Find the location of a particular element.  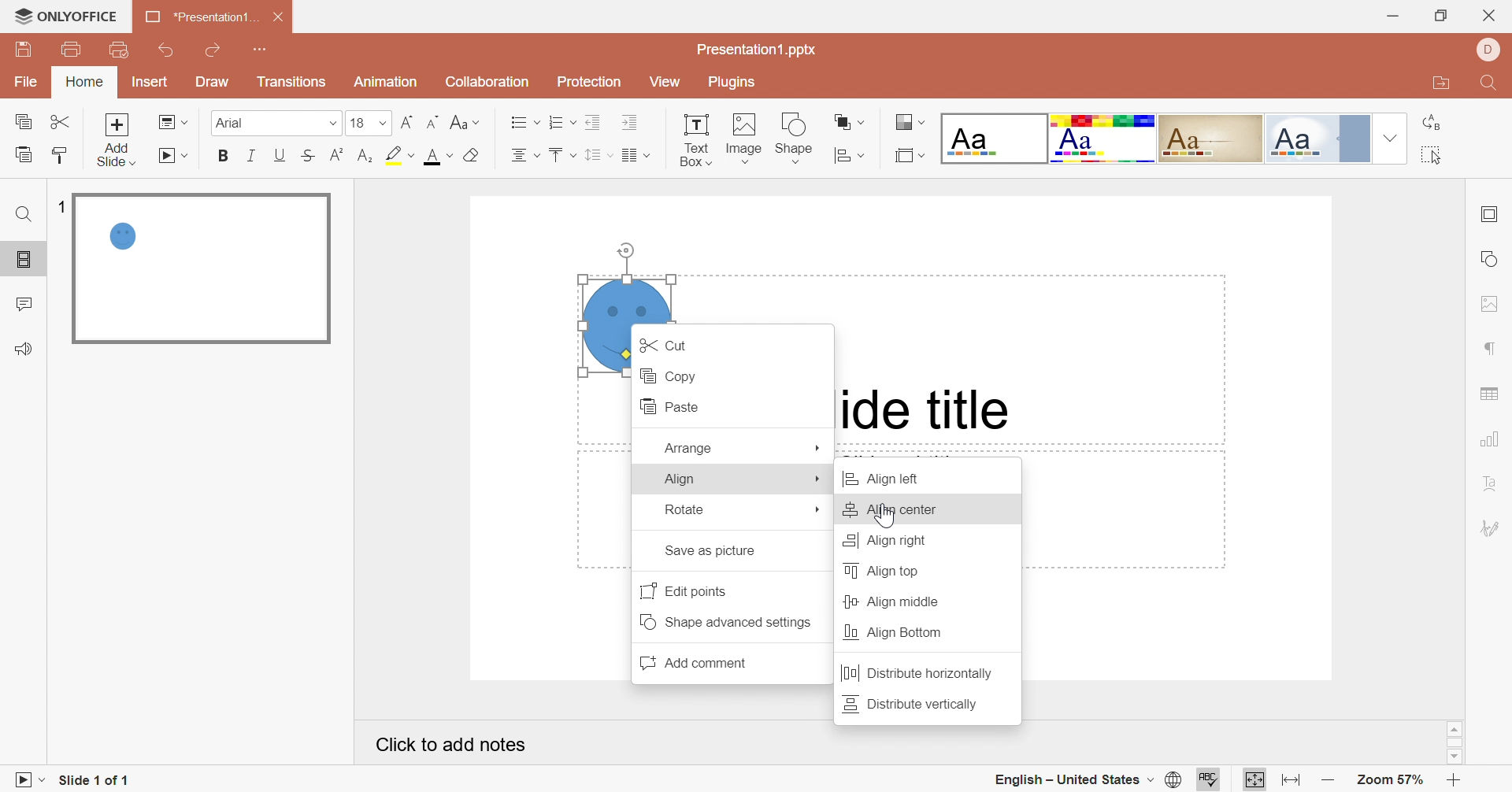

Bullets is located at coordinates (521, 121).